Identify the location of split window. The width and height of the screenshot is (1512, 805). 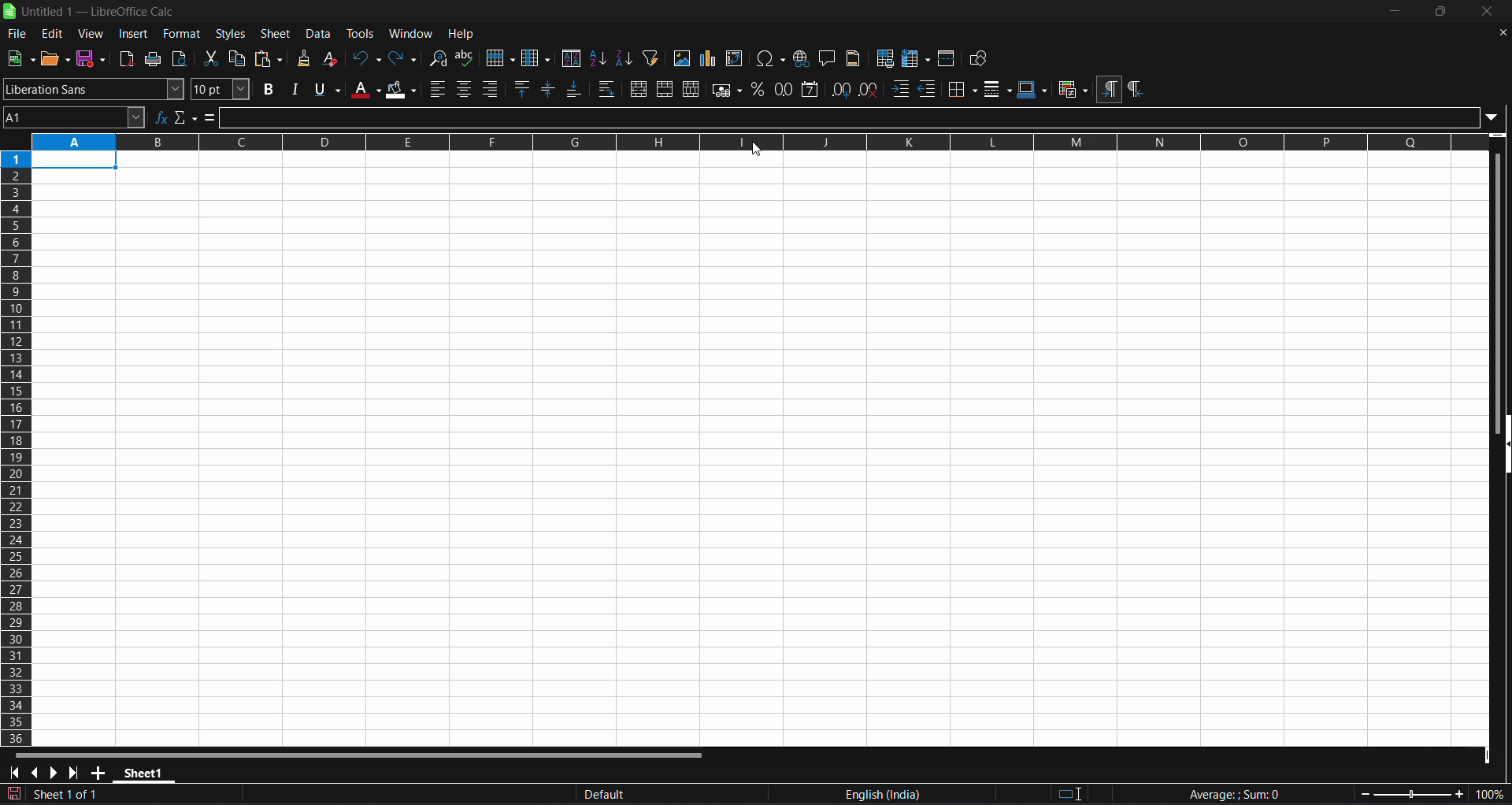
(947, 58).